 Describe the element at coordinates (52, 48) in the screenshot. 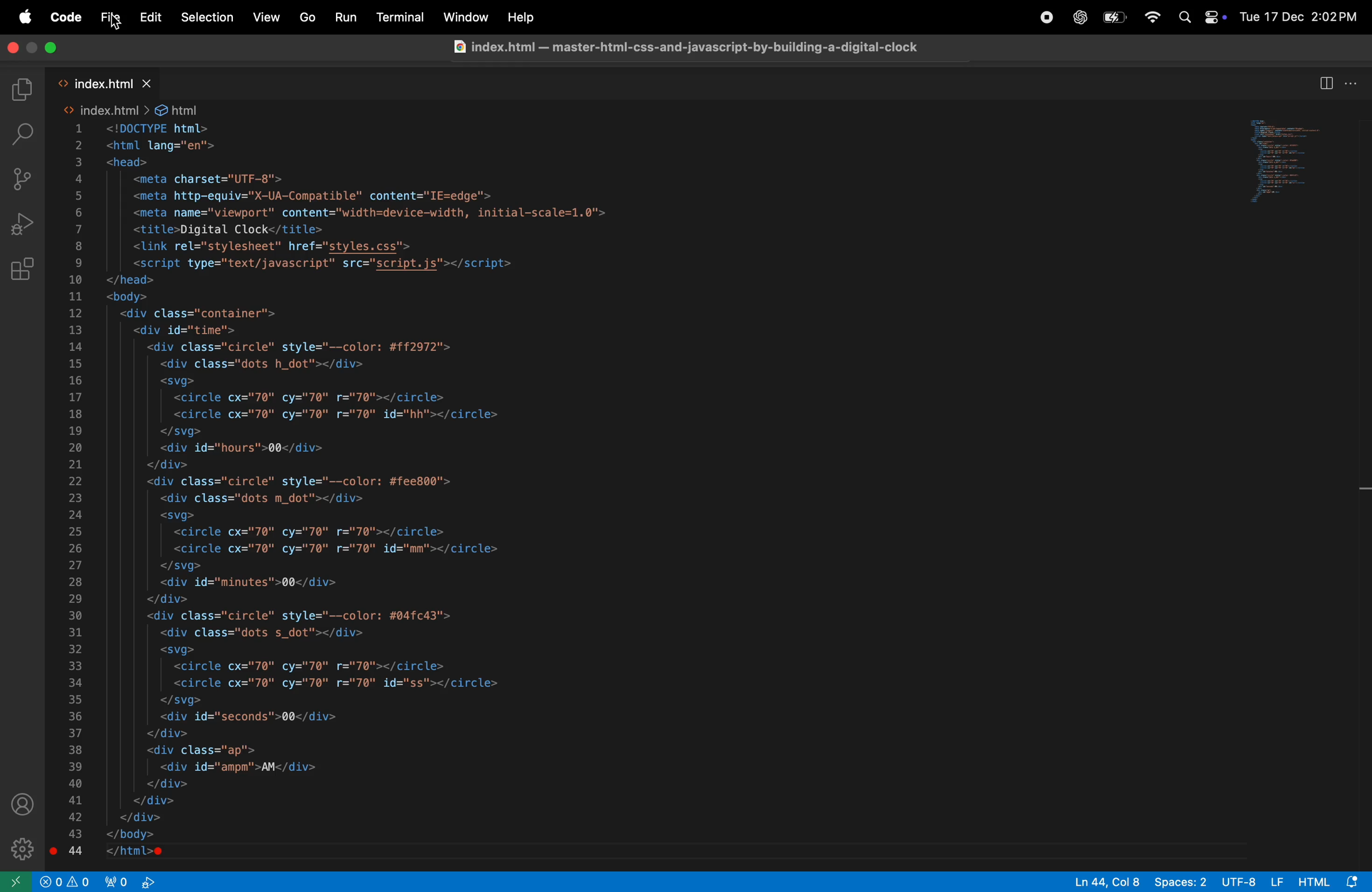

I see `close` at that location.